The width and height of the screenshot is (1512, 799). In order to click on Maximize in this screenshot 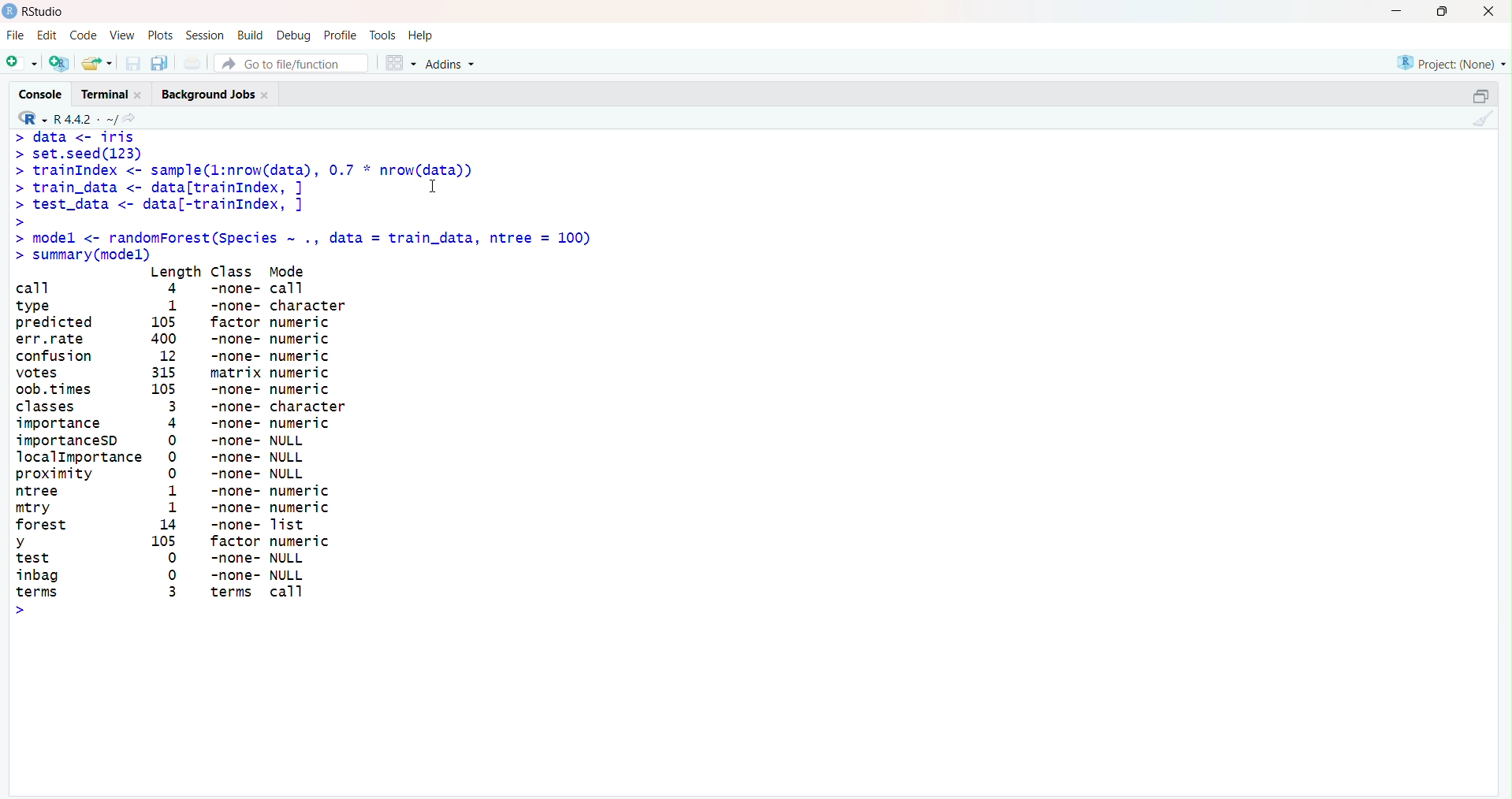, I will do `click(1441, 12)`.